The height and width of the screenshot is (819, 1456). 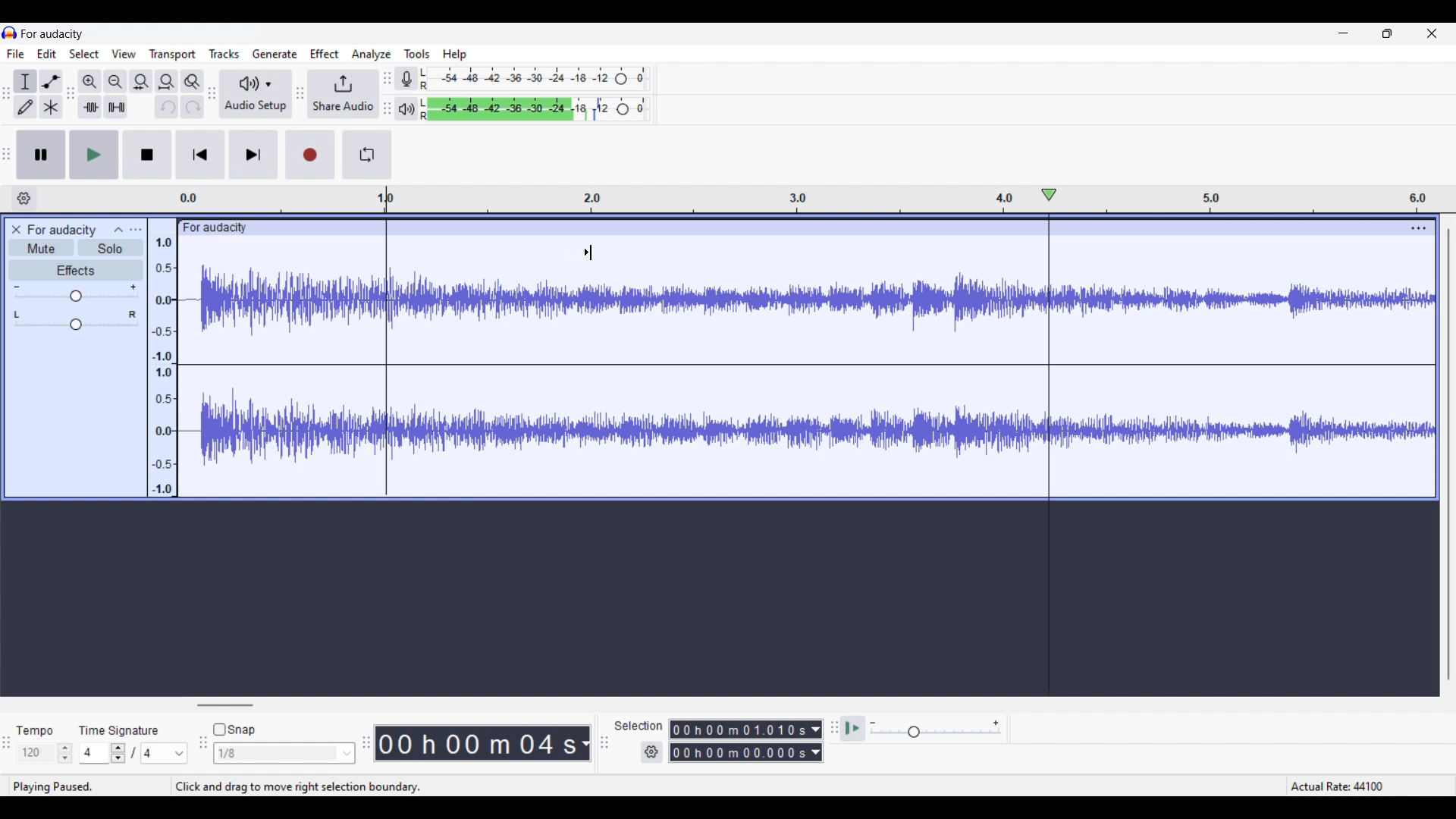 I want to click on Silence audio selection, so click(x=116, y=107).